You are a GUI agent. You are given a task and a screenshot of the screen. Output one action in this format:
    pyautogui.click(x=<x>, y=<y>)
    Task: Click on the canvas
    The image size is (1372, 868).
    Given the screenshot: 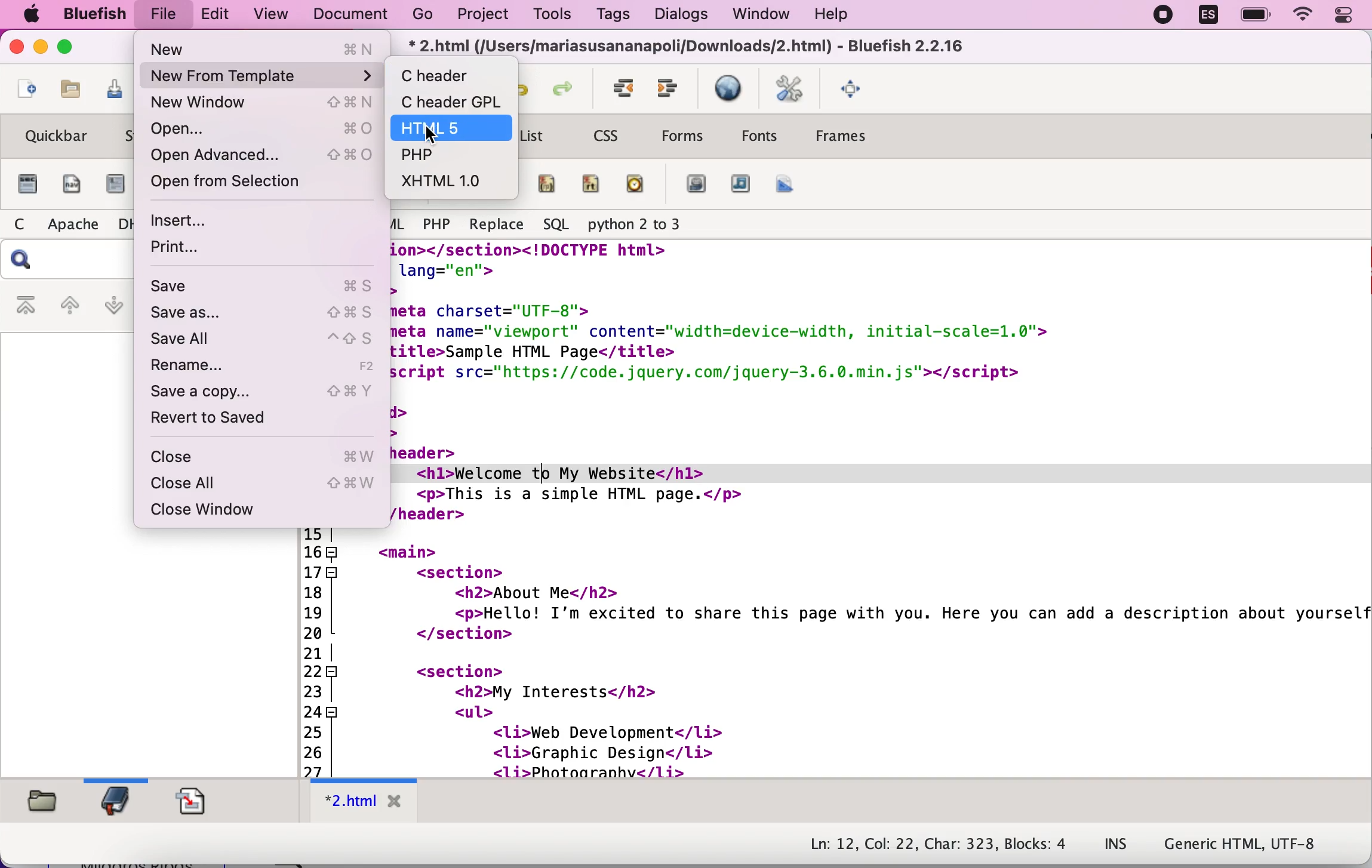 What is the action you would take?
    pyautogui.click(x=786, y=184)
    